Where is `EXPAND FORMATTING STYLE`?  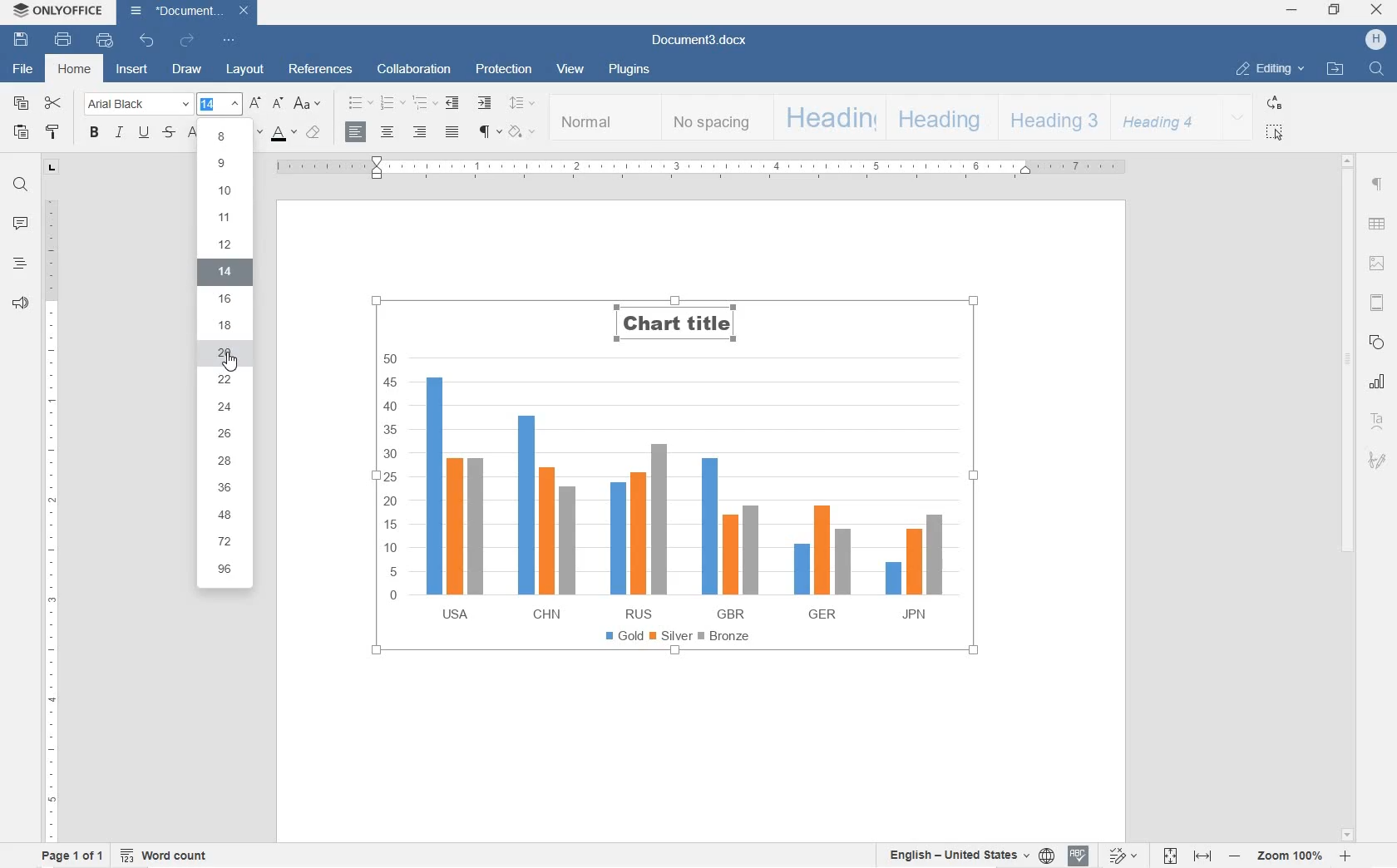
EXPAND FORMATTING STYLE is located at coordinates (1237, 118).